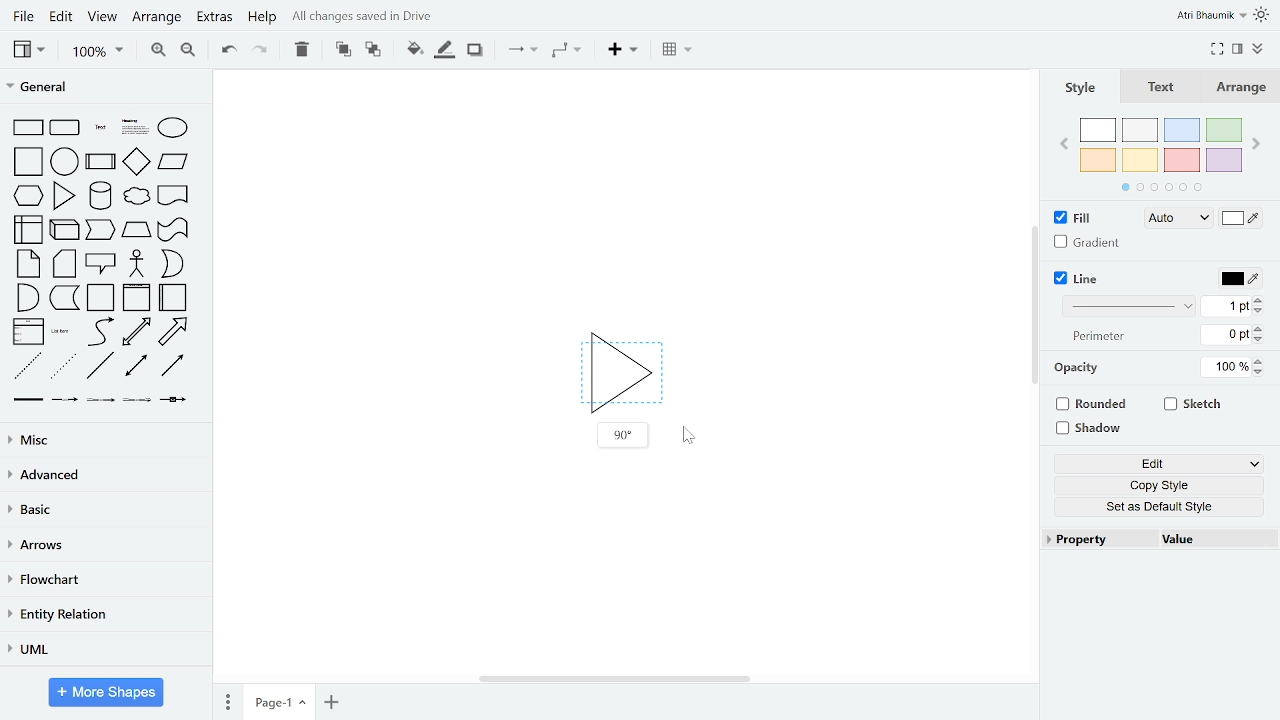 The image size is (1280, 720). I want to click on to back, so click(372, 49).